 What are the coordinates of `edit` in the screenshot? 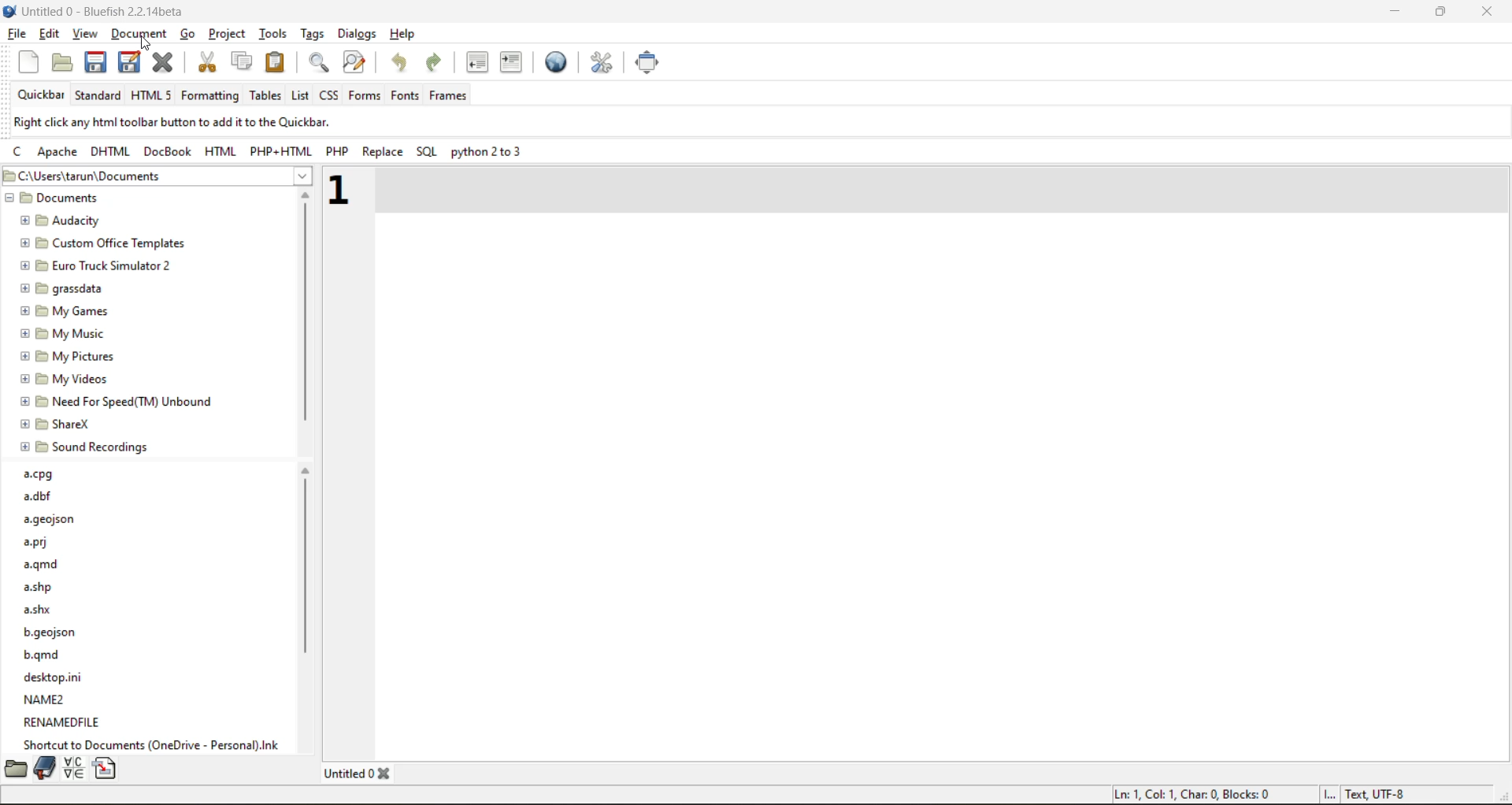 It's located at (50, 32).